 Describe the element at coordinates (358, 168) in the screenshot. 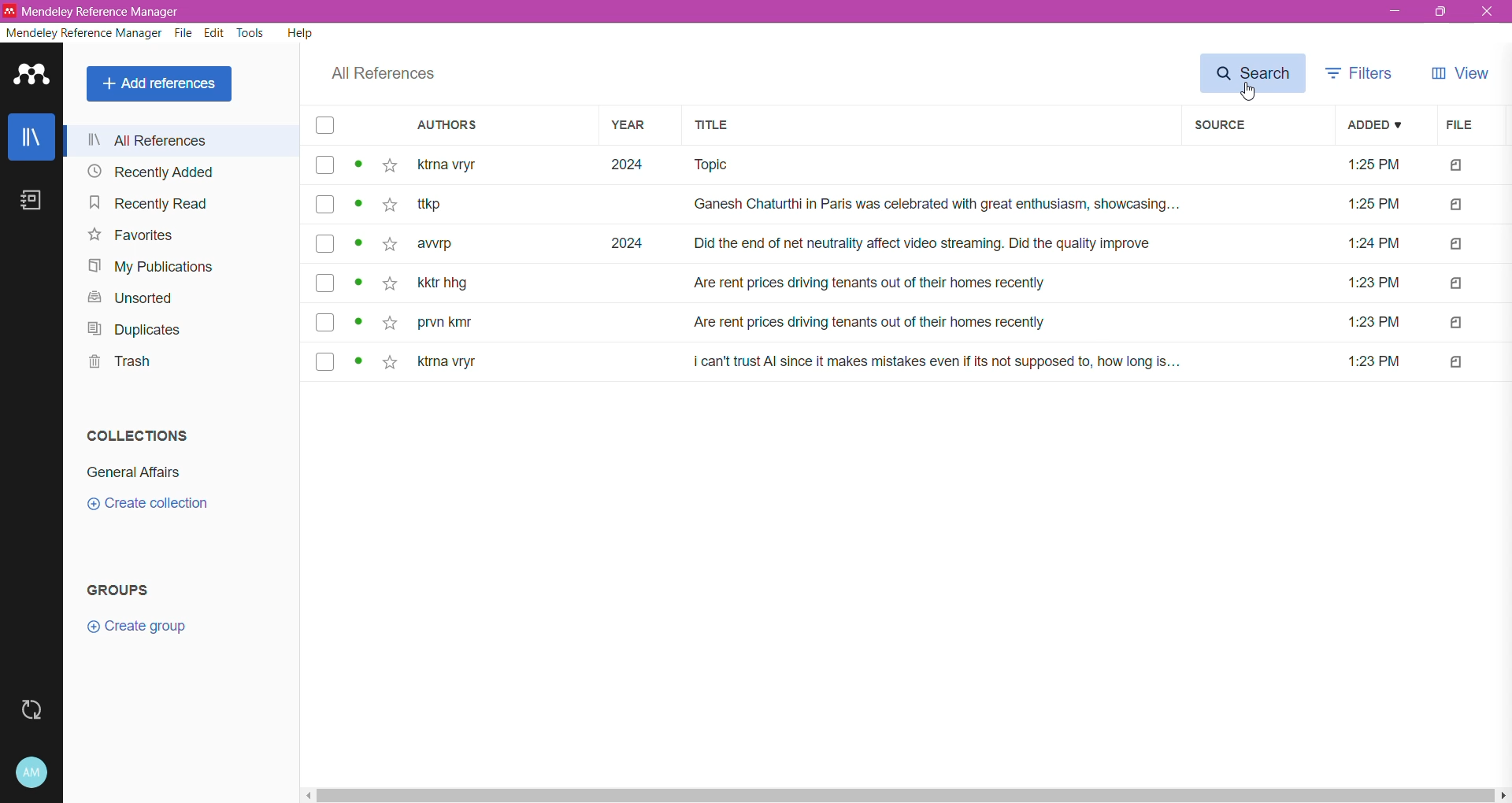

I see `Click to view details` at that location.